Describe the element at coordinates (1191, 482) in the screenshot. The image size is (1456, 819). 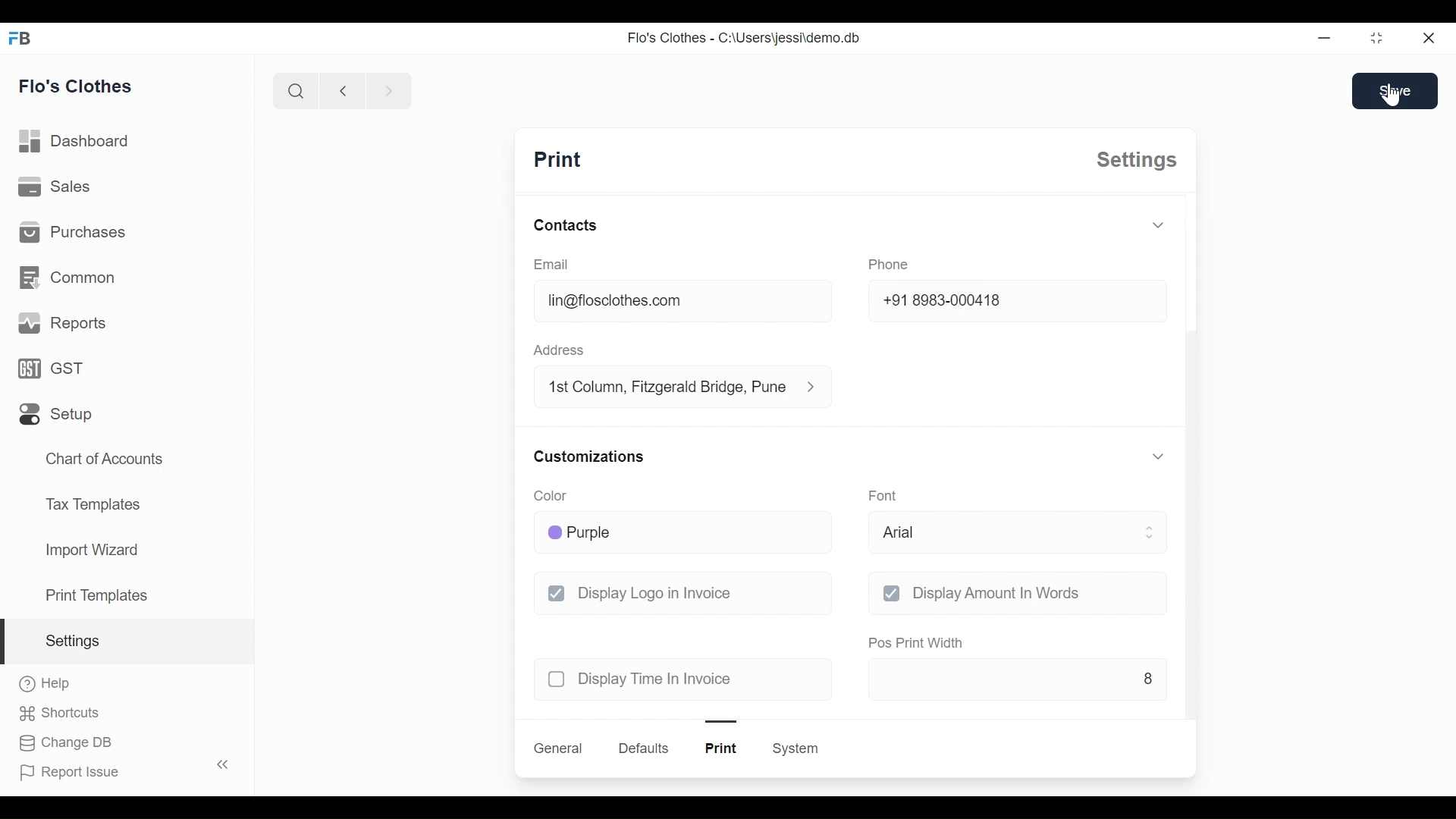
I see `scroll bar` at that location.